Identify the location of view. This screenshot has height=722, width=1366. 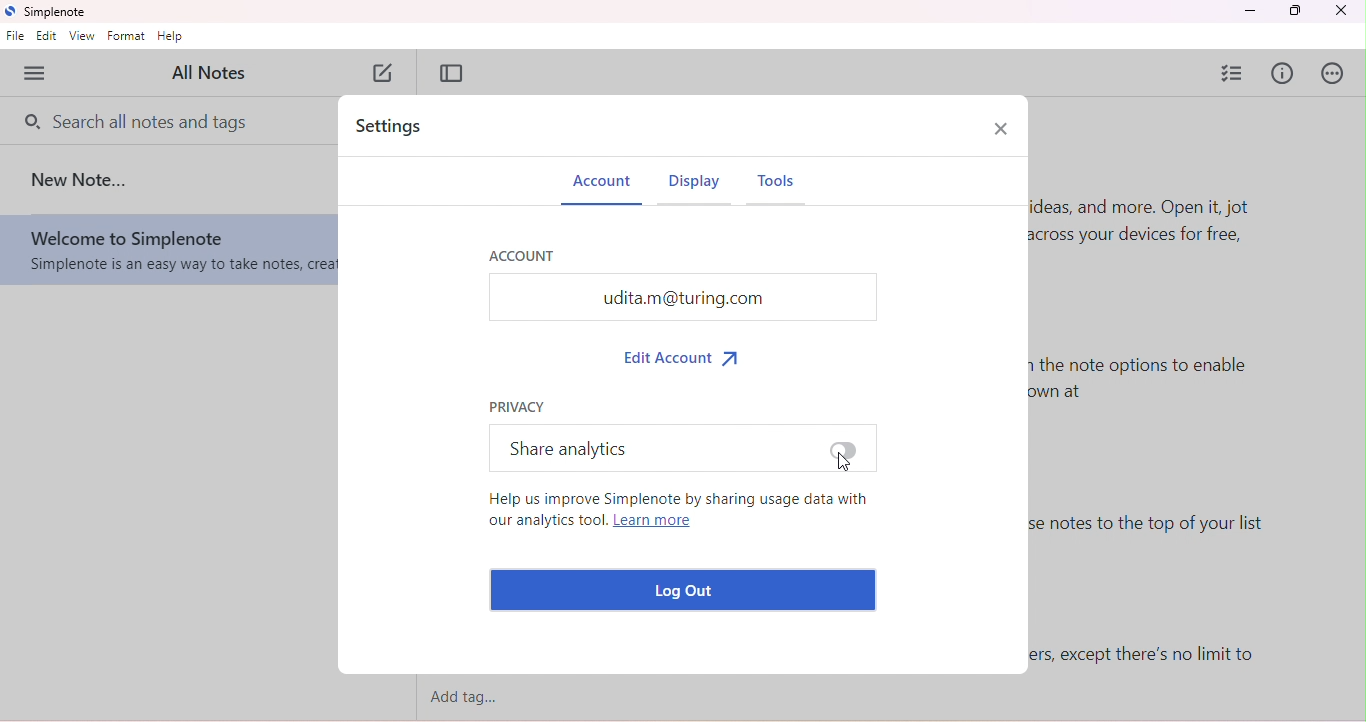
(83, 36).